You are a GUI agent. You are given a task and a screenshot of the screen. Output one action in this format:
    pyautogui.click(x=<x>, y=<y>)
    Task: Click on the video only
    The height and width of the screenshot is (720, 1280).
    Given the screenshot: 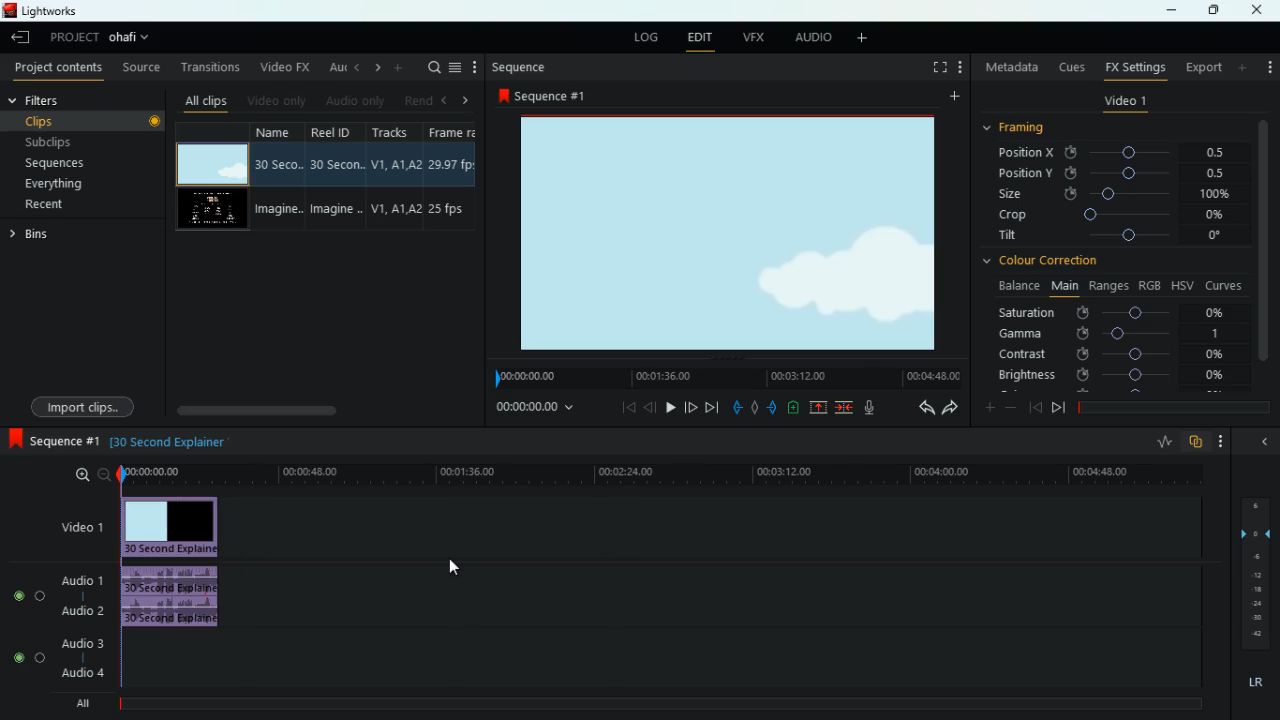 What is the action you would take?
    pyautogui.click(x=274, y=101)
    